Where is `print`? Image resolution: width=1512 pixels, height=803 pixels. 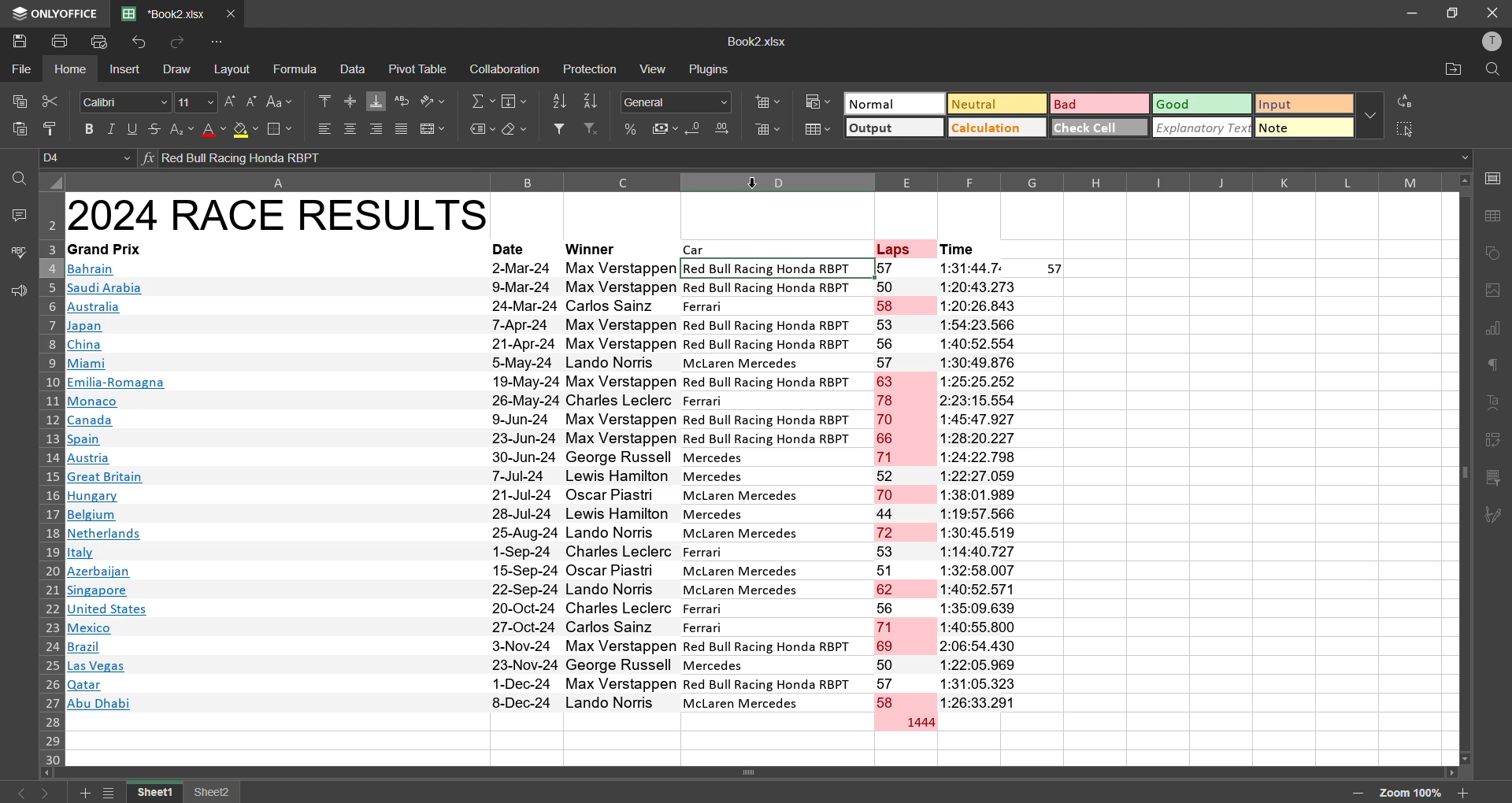
print is located at coordinates (62, 40).